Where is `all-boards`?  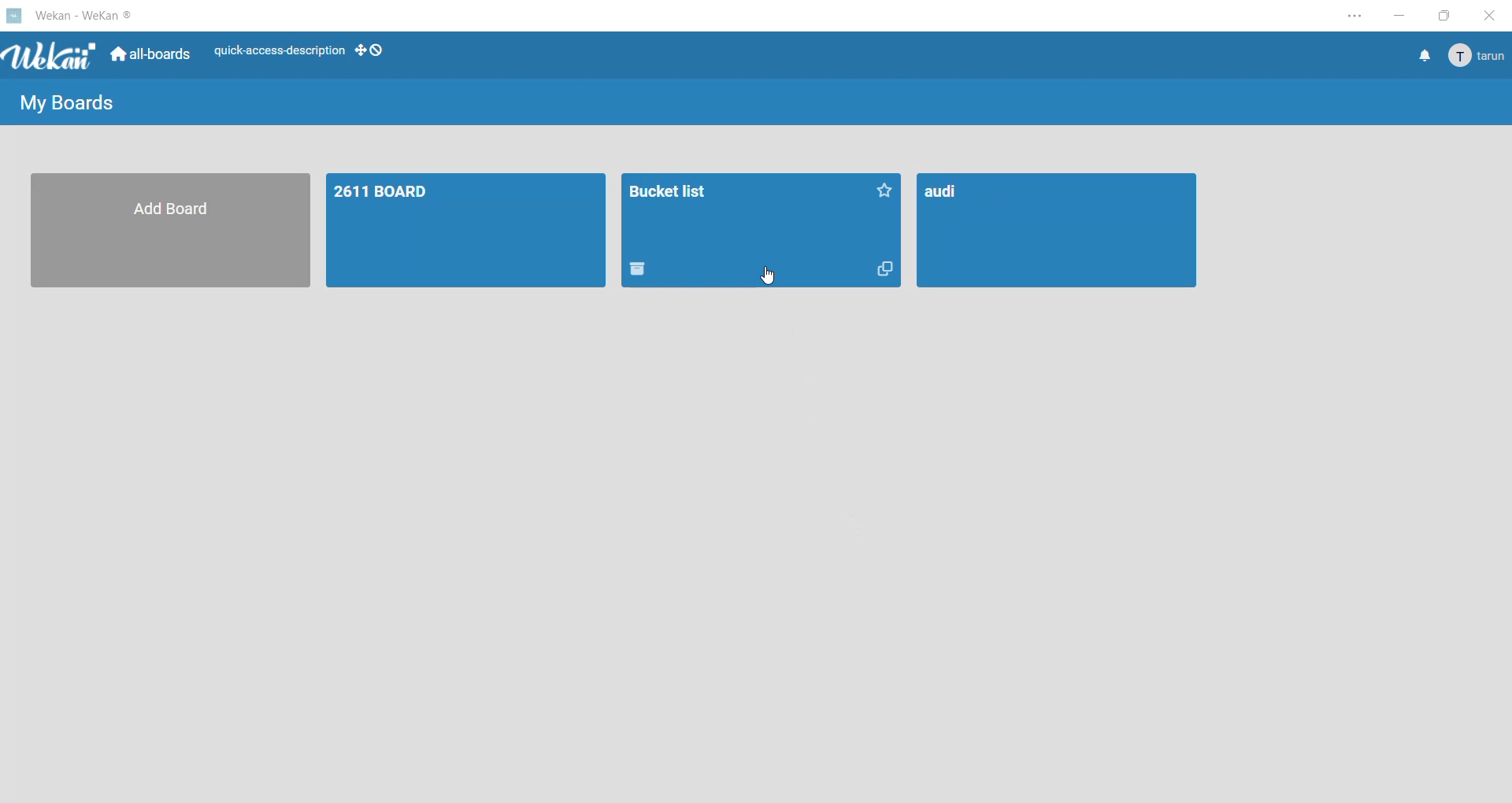
all-boards is located at coordinates (147, 56).